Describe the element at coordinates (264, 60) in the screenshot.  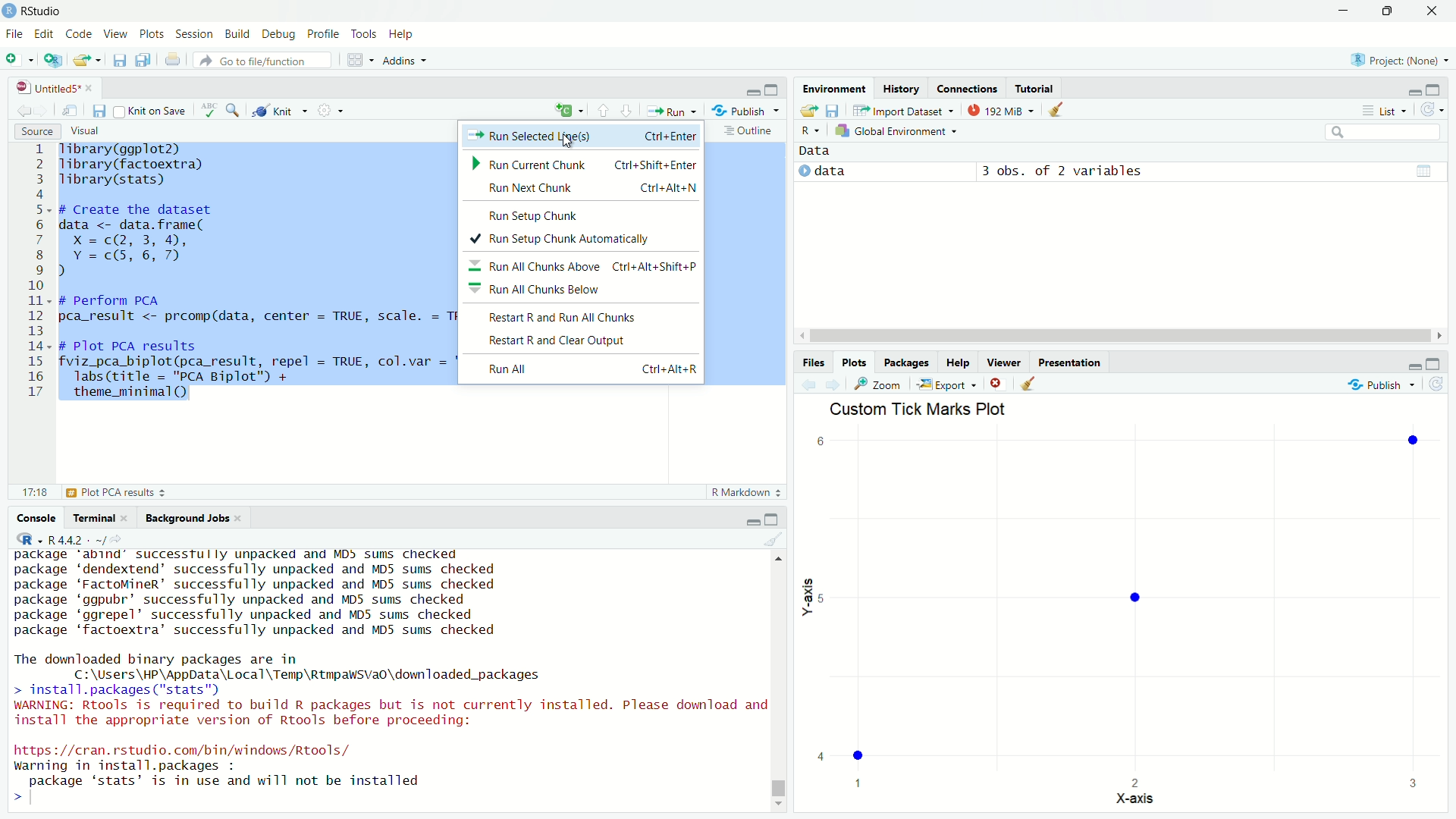
I see `go to file/function` at that location.